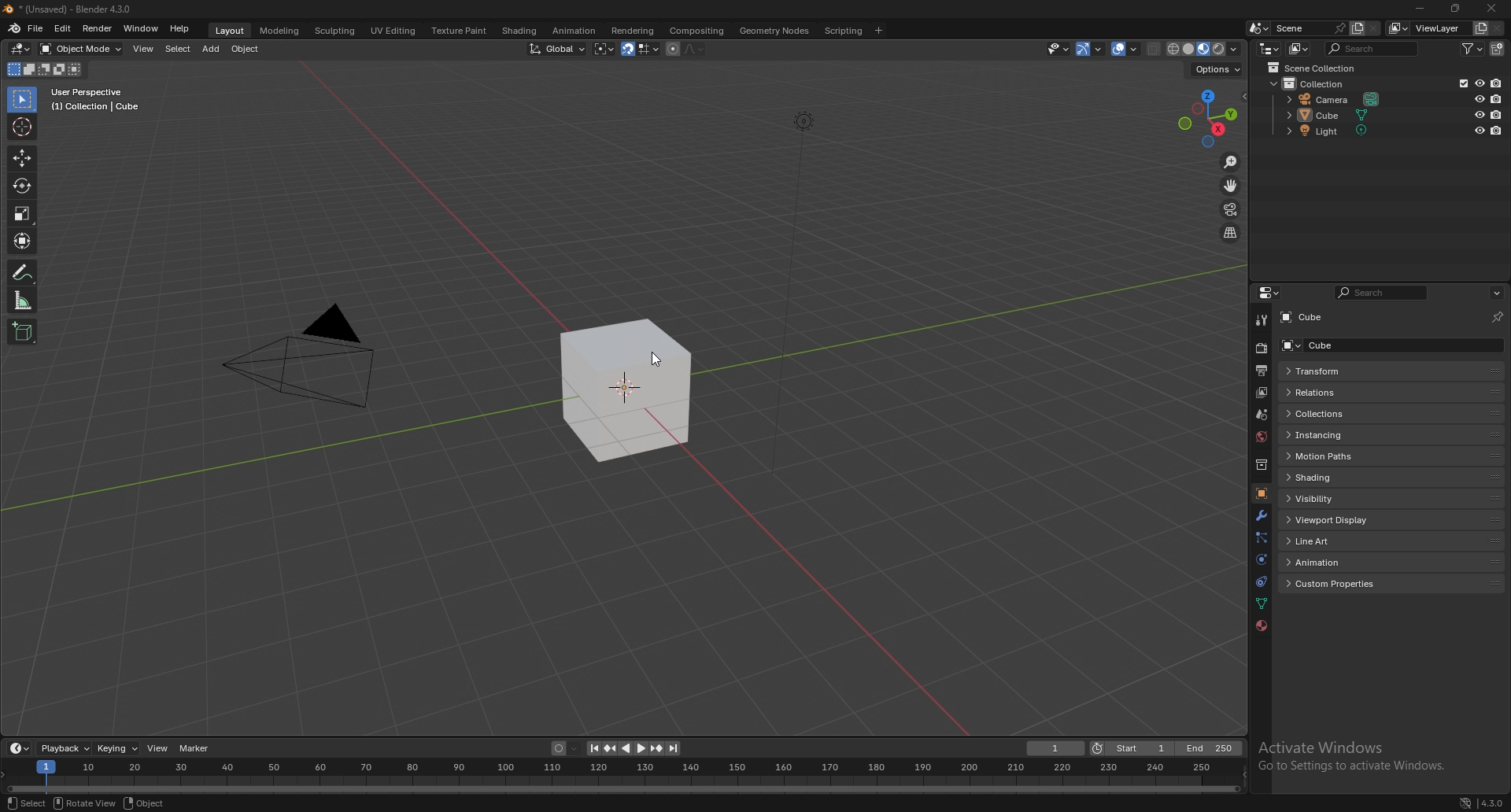 The height and width of the screenshot is (812, 1511). I want to click on instancing, so click(1391, 434).